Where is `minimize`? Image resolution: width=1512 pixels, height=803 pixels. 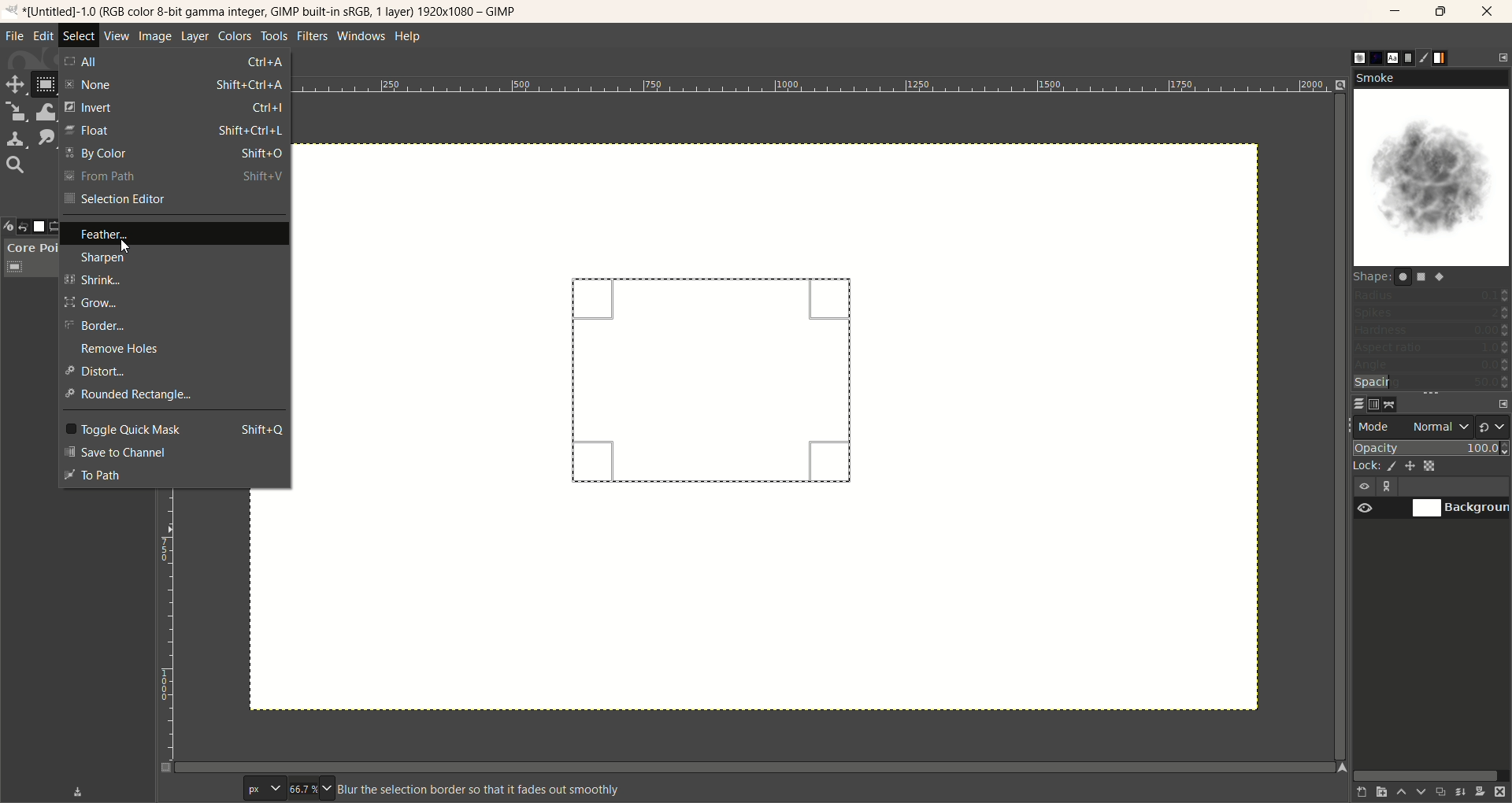
minimize is located at coordinates (1394, 12).